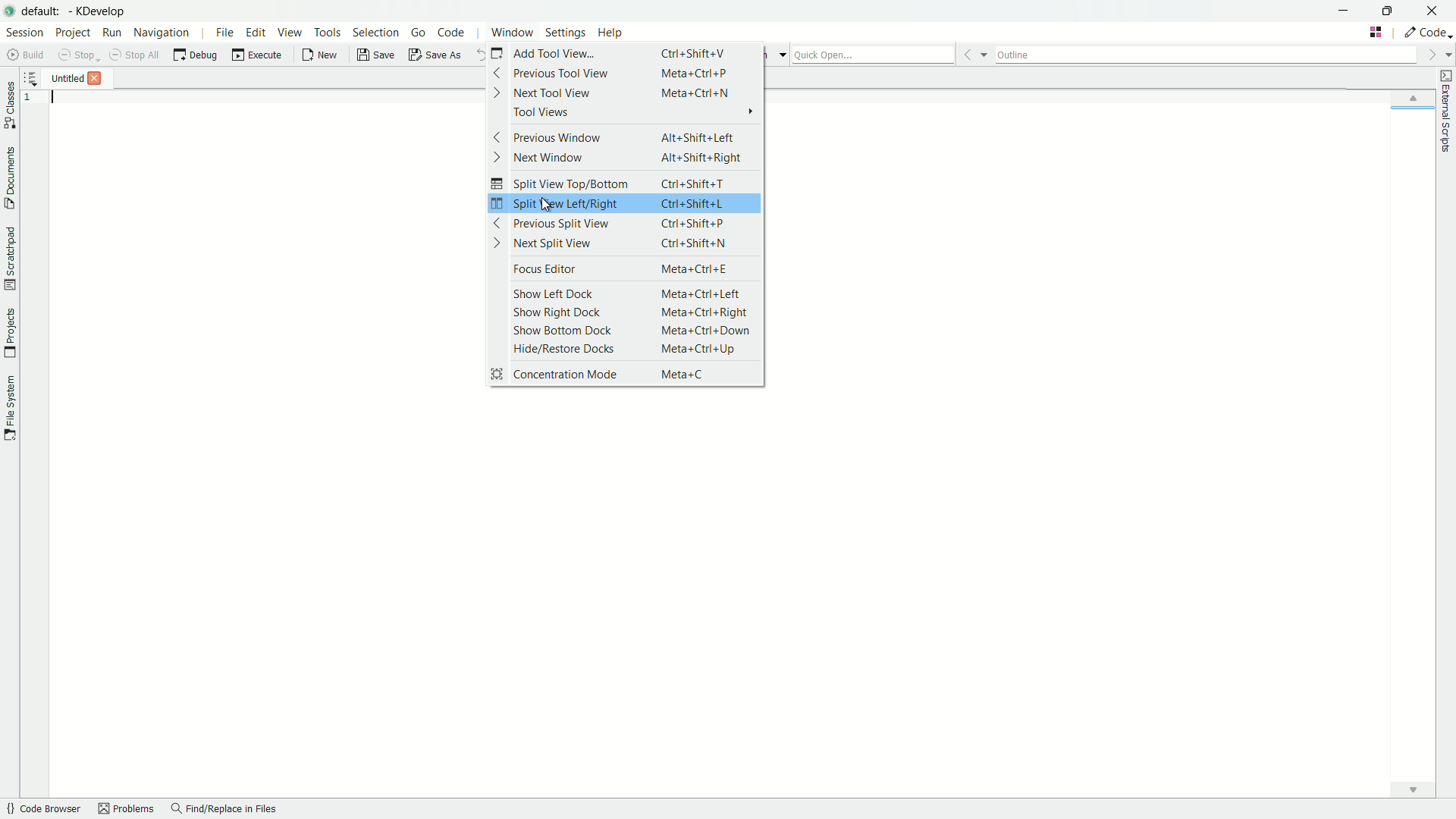 The image size is (1456, 819). I want to click on quick open, so click(890, 55).